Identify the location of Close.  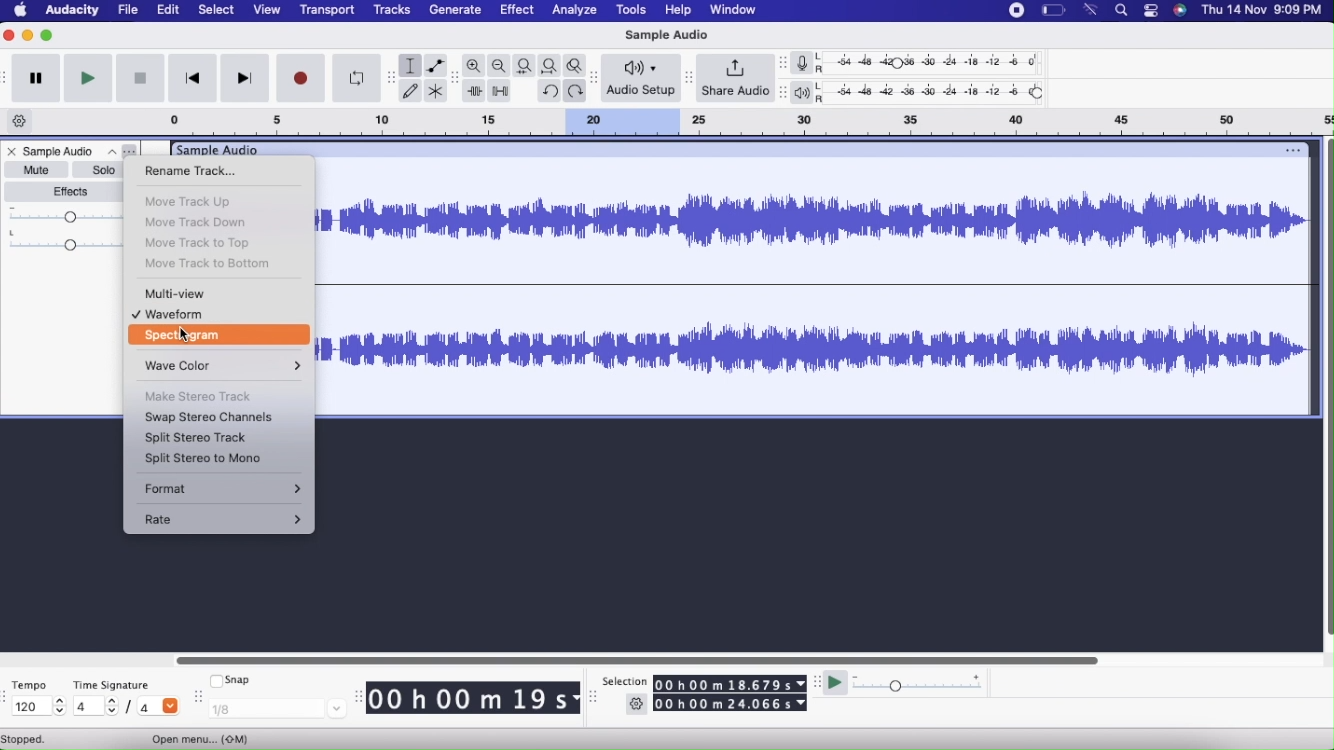
(14, 151).